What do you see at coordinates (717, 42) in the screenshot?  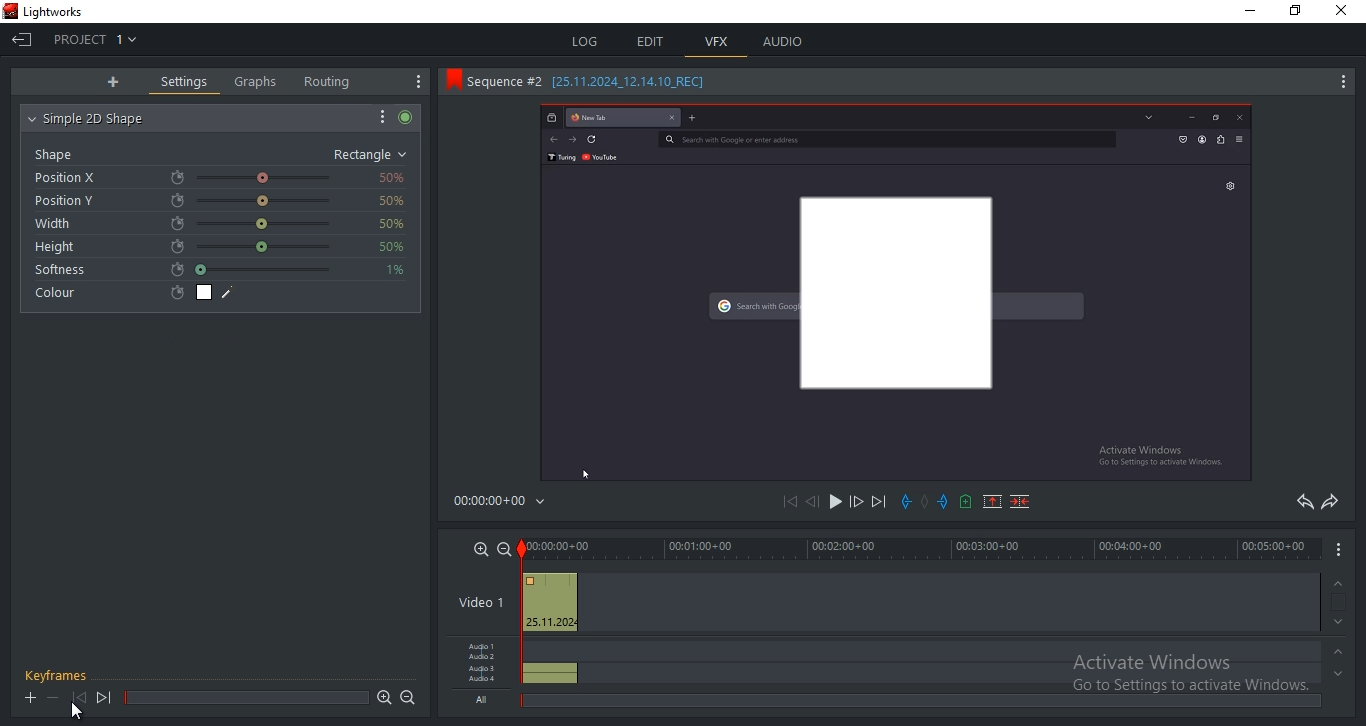 I see `vfx` at bounding box center [717, 42].